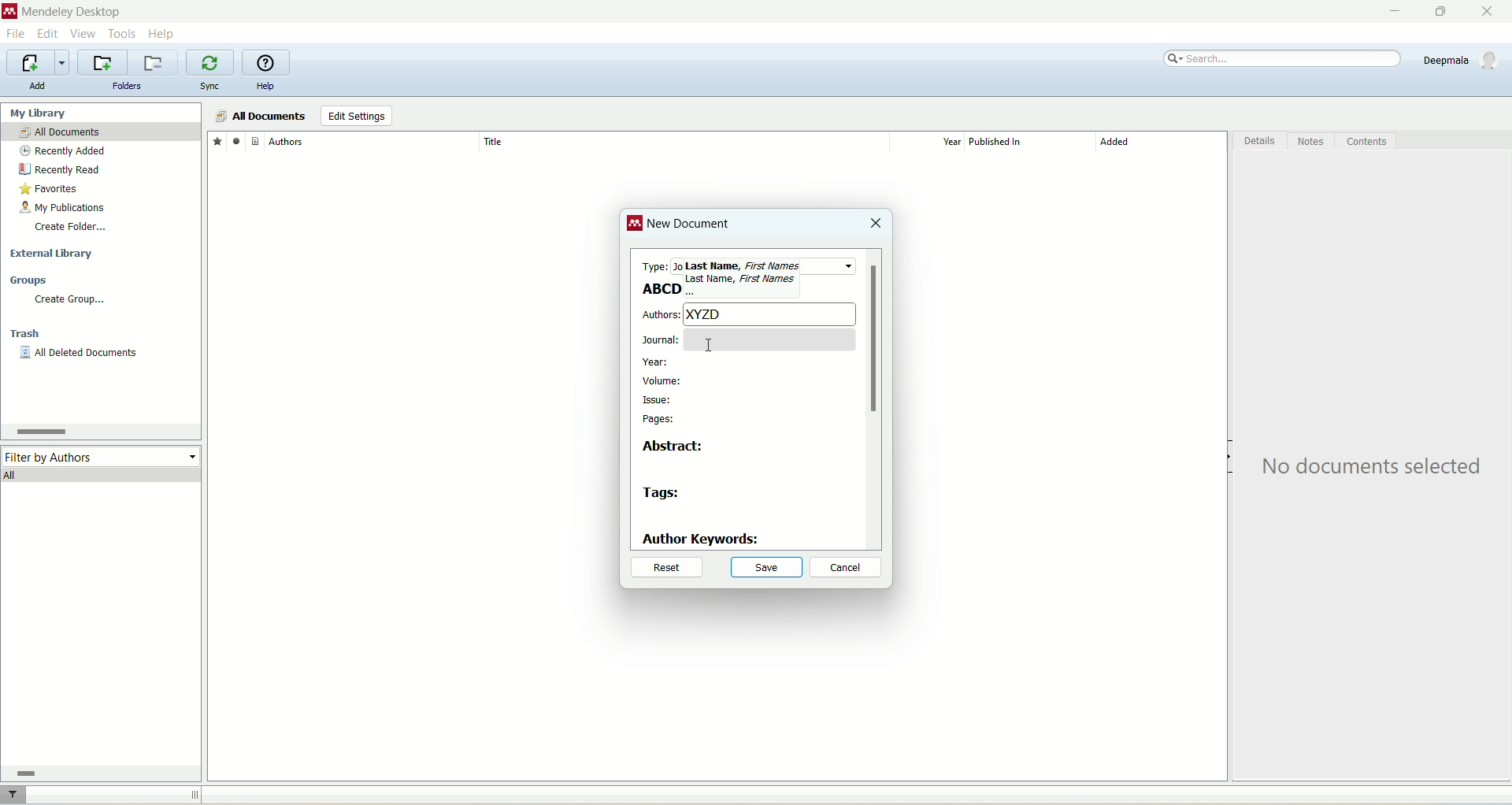 This screenshot has height=805, width=1512. I want to click on filter, so click(15, 795).